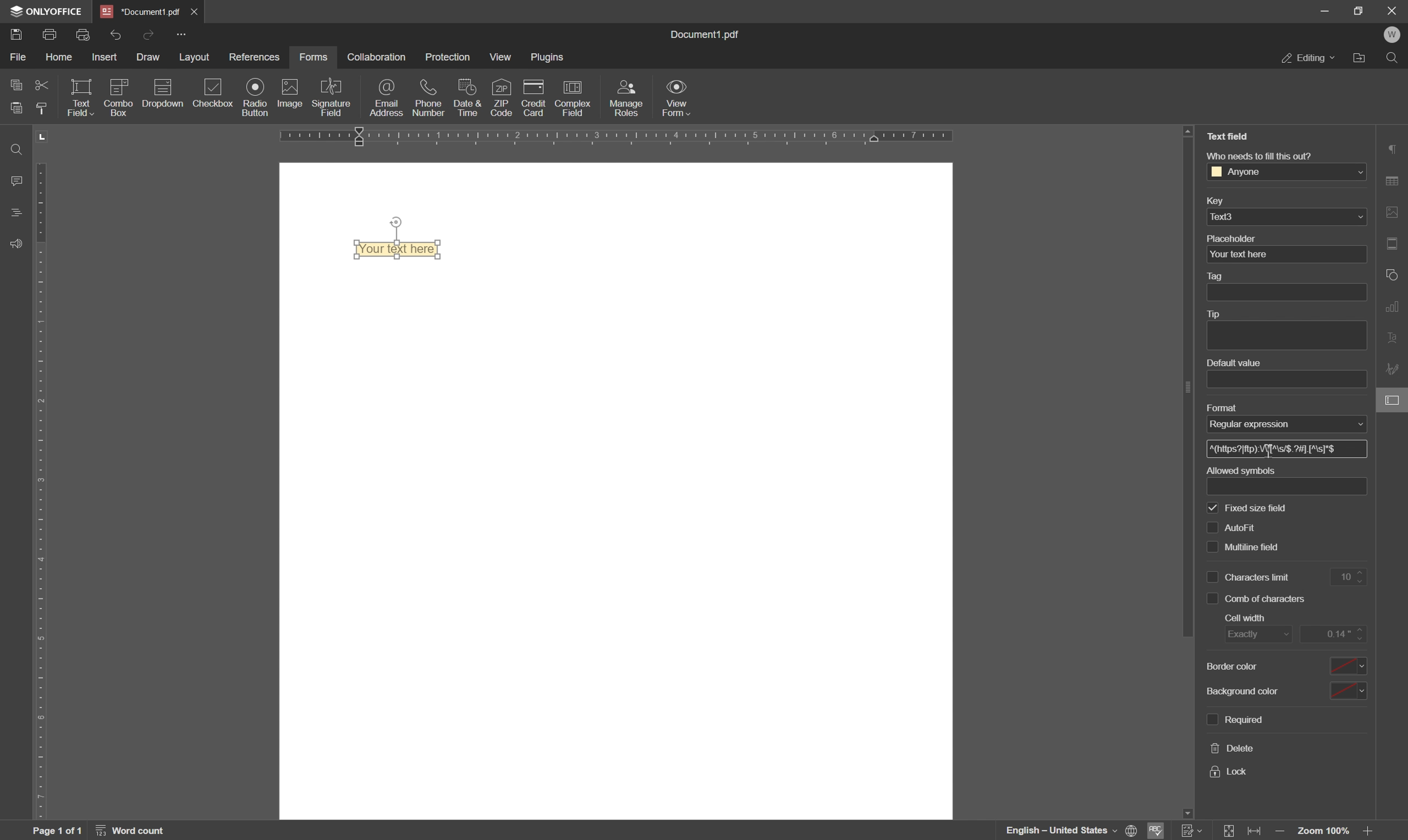  What do you see at coordinates (1395, 340) in the screenshot?
I see `text art settings` at bounding box center [1395, 340].